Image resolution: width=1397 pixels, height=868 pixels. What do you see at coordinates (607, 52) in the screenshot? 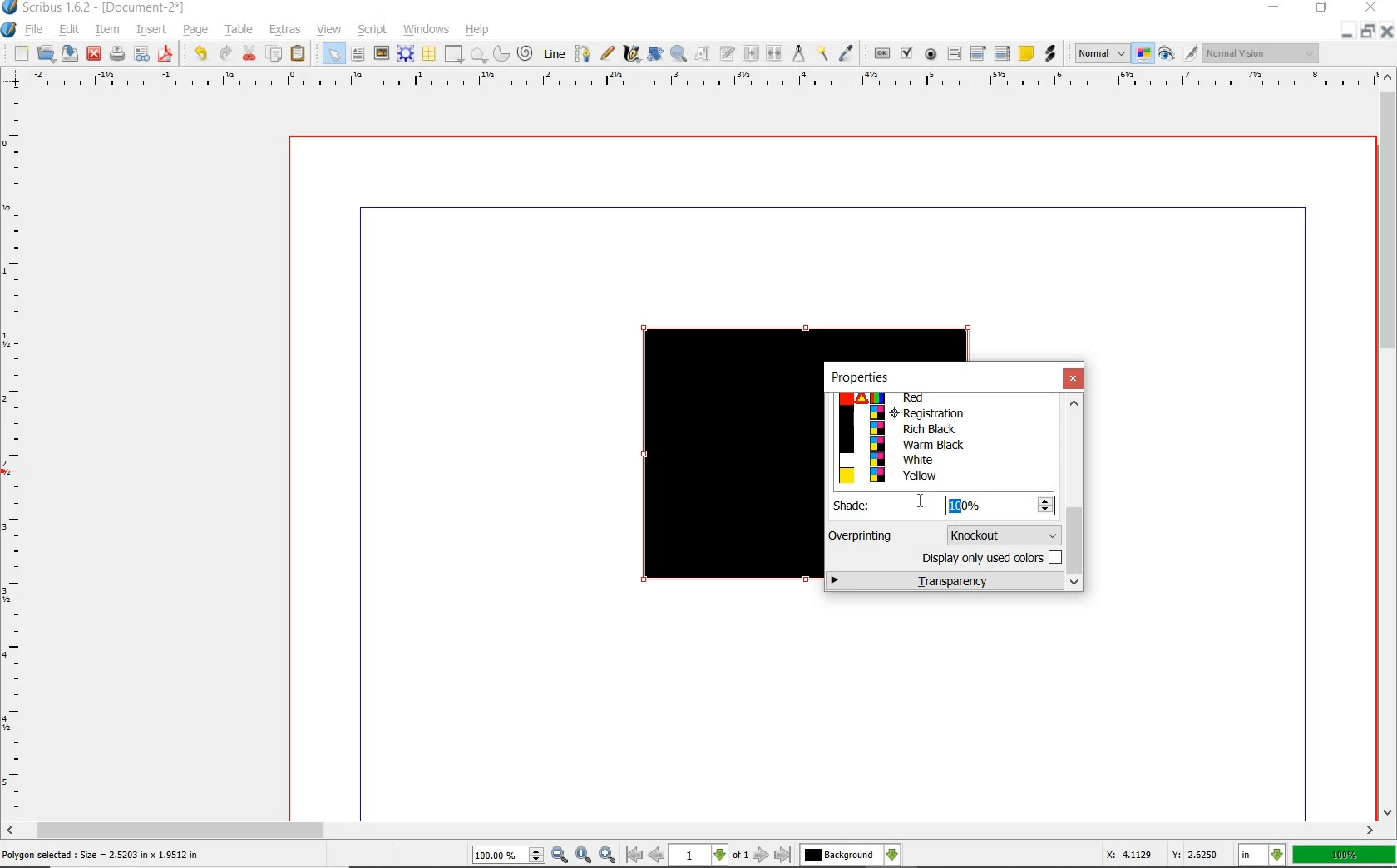
I see `free hand line` at bounding box center [607, 52].